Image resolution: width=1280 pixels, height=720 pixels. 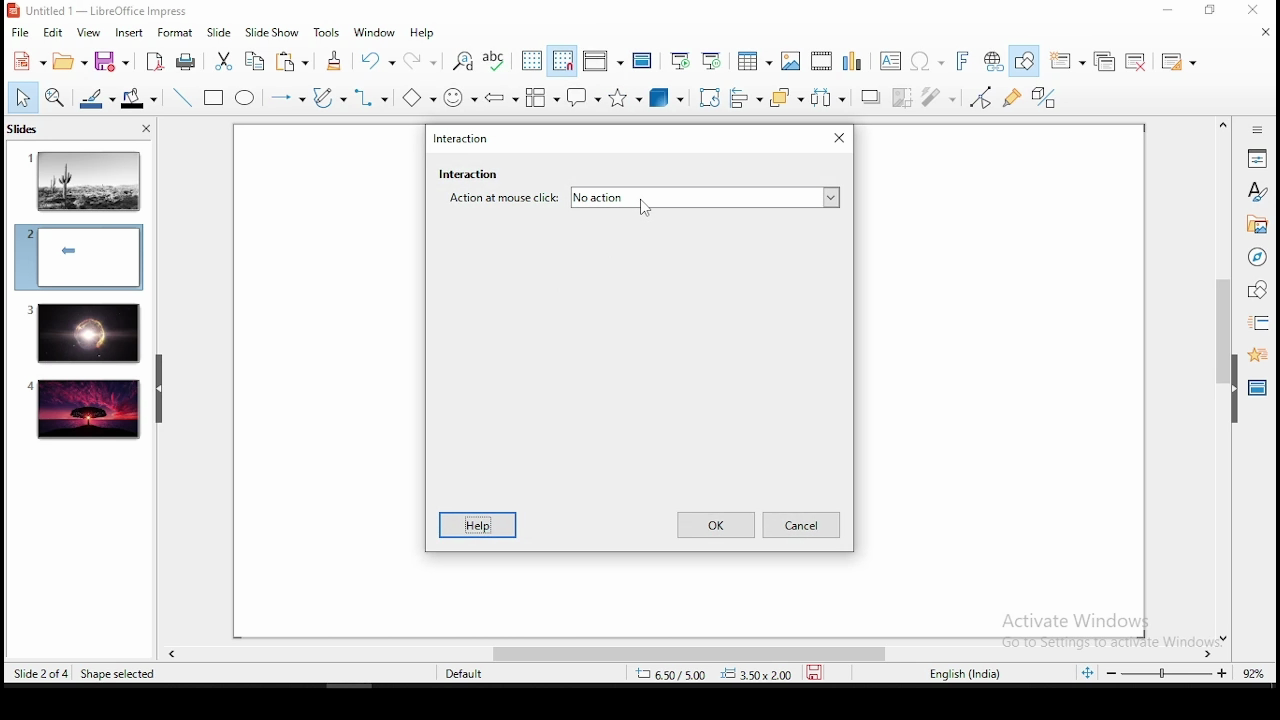 What do you see at coordinates (584, 98) in the screenshot?
I see `callout shapes` at bounding box center [584, 98].